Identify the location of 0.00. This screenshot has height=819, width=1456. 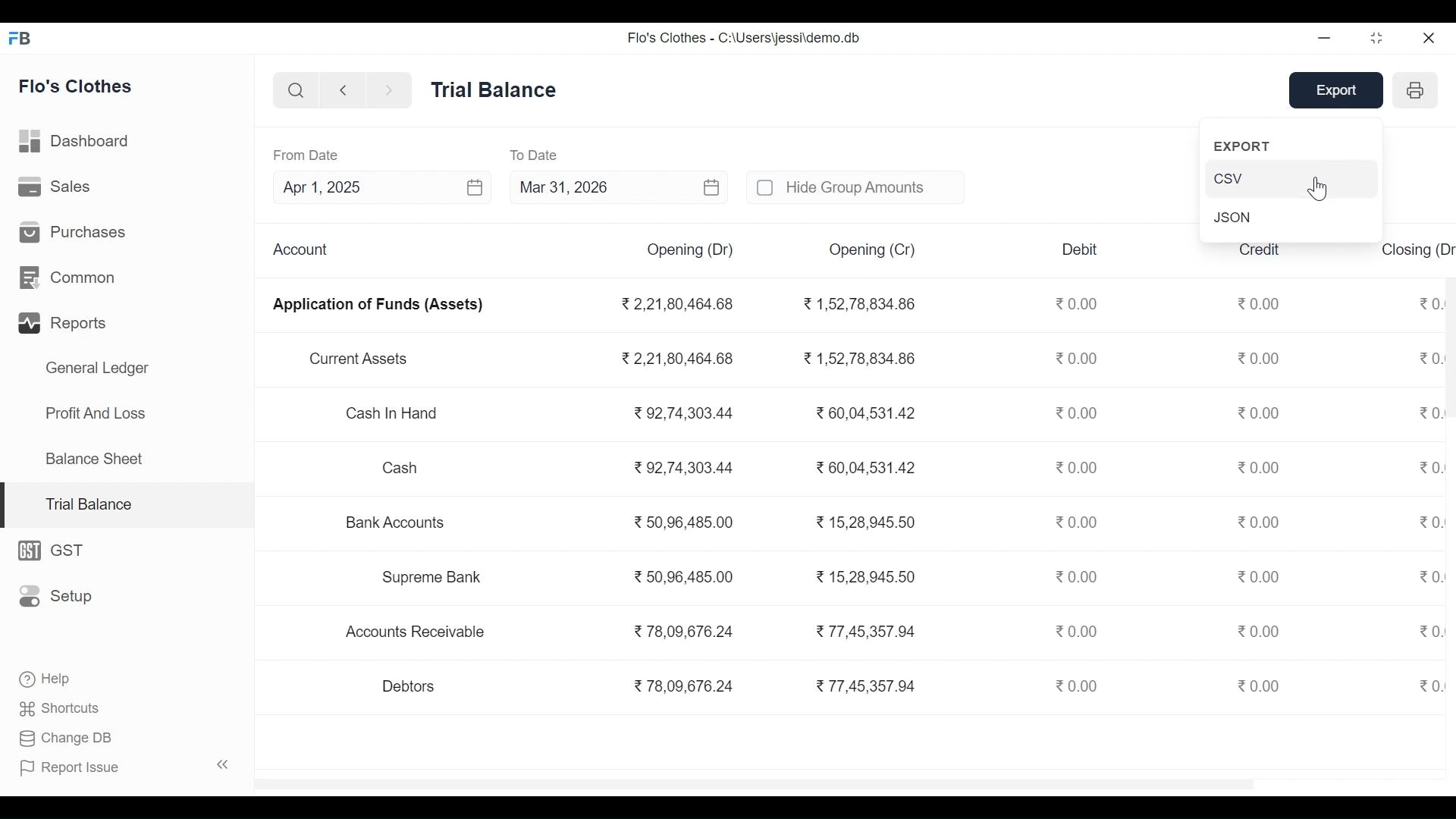
(1075, 685).